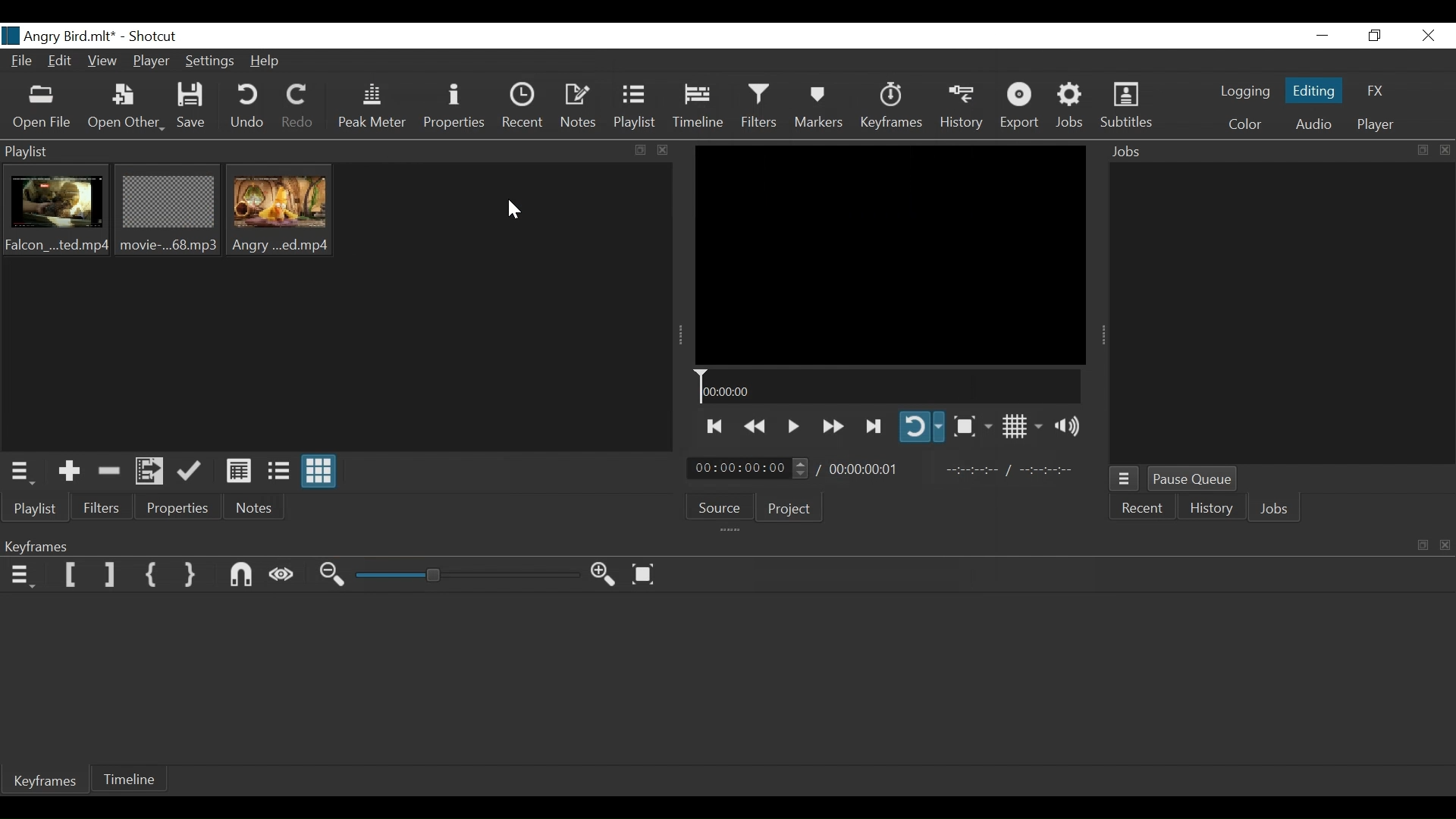 The width and height of the screenshot is (1456, 819). What do you see at coordinates (42, 782) in the screenshot?
I see `Keyframe` at bounding box center [42, 782].